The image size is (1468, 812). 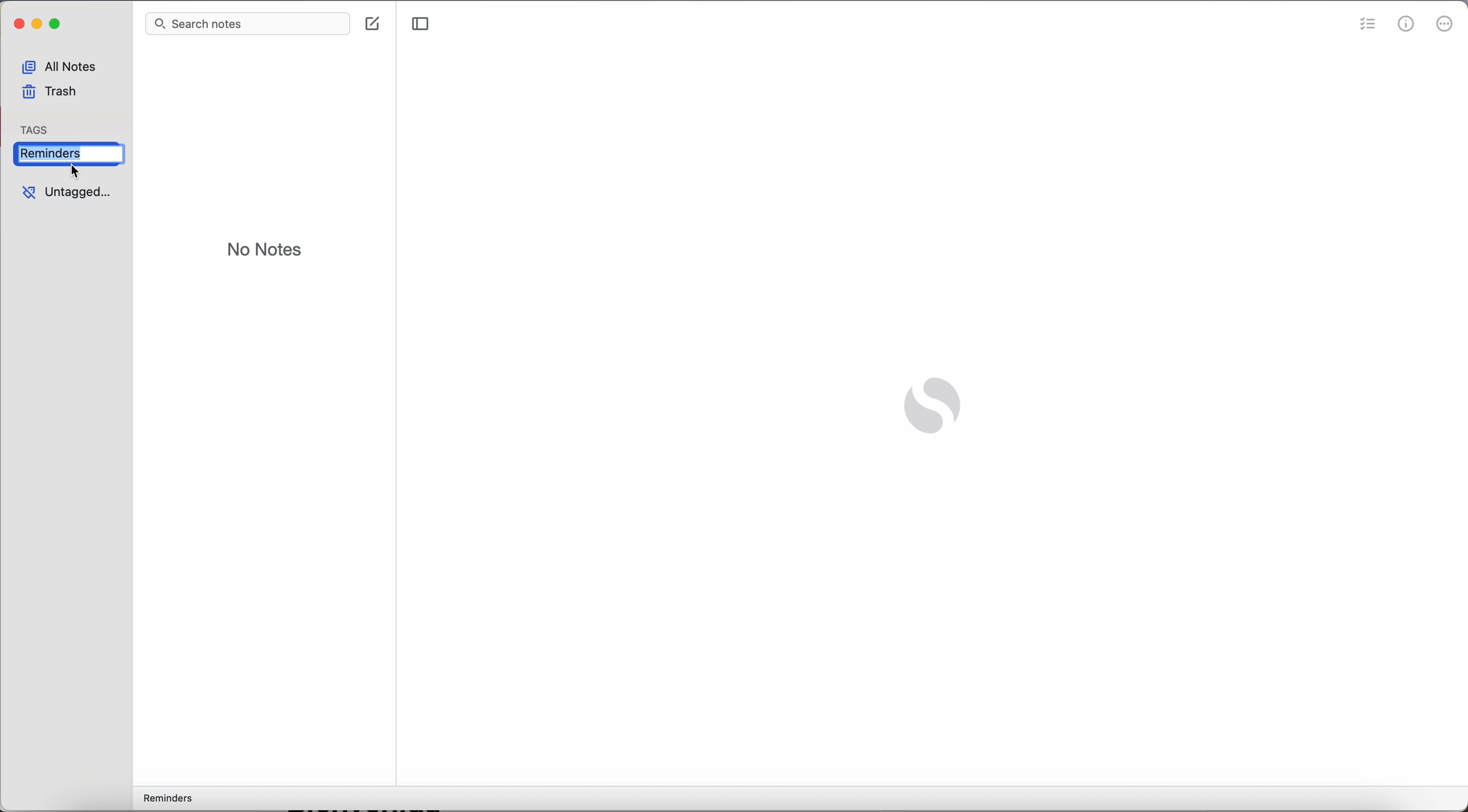 I want to click on metrics, so click(x=1408, y=25).